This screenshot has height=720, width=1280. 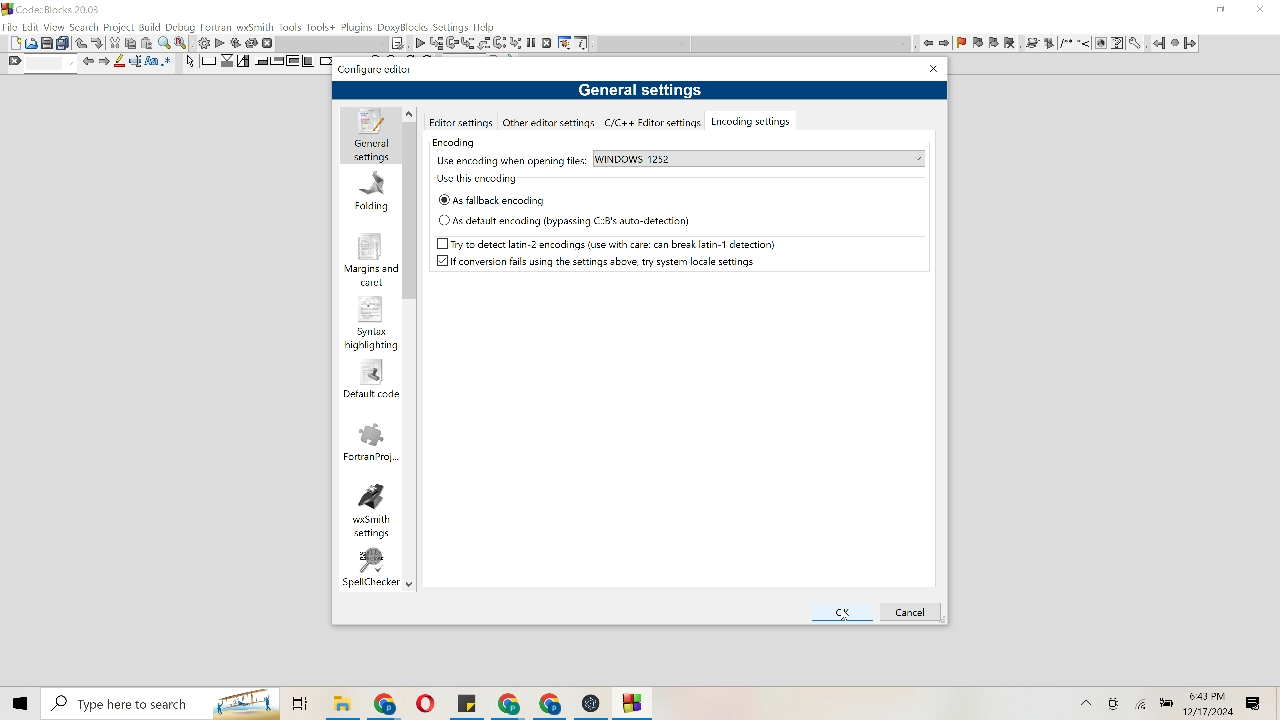 I want to click on Find, so click(x=40, y=64).